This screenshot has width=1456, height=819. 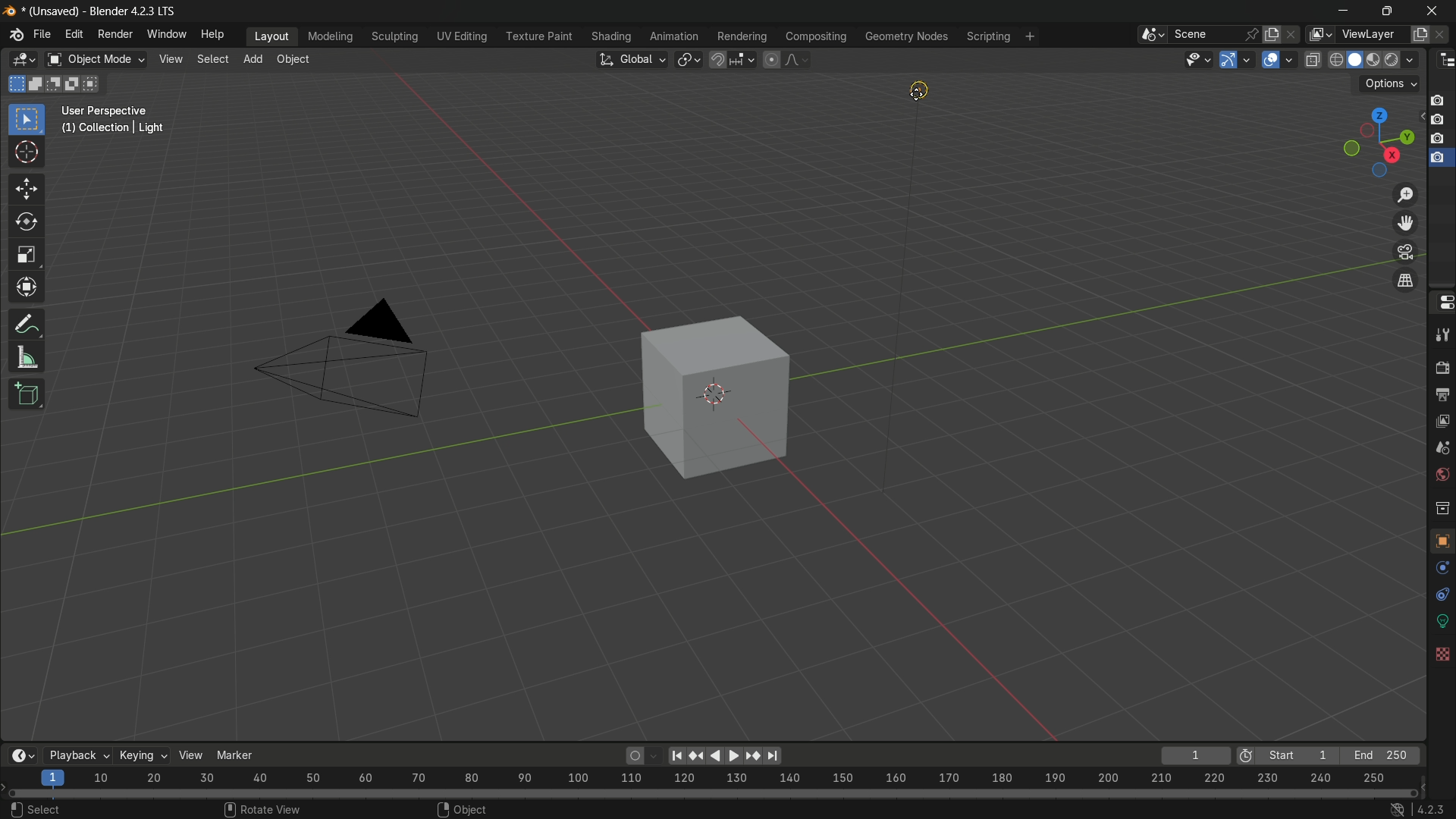 I want to click on scale, so click(x=721, y=778).